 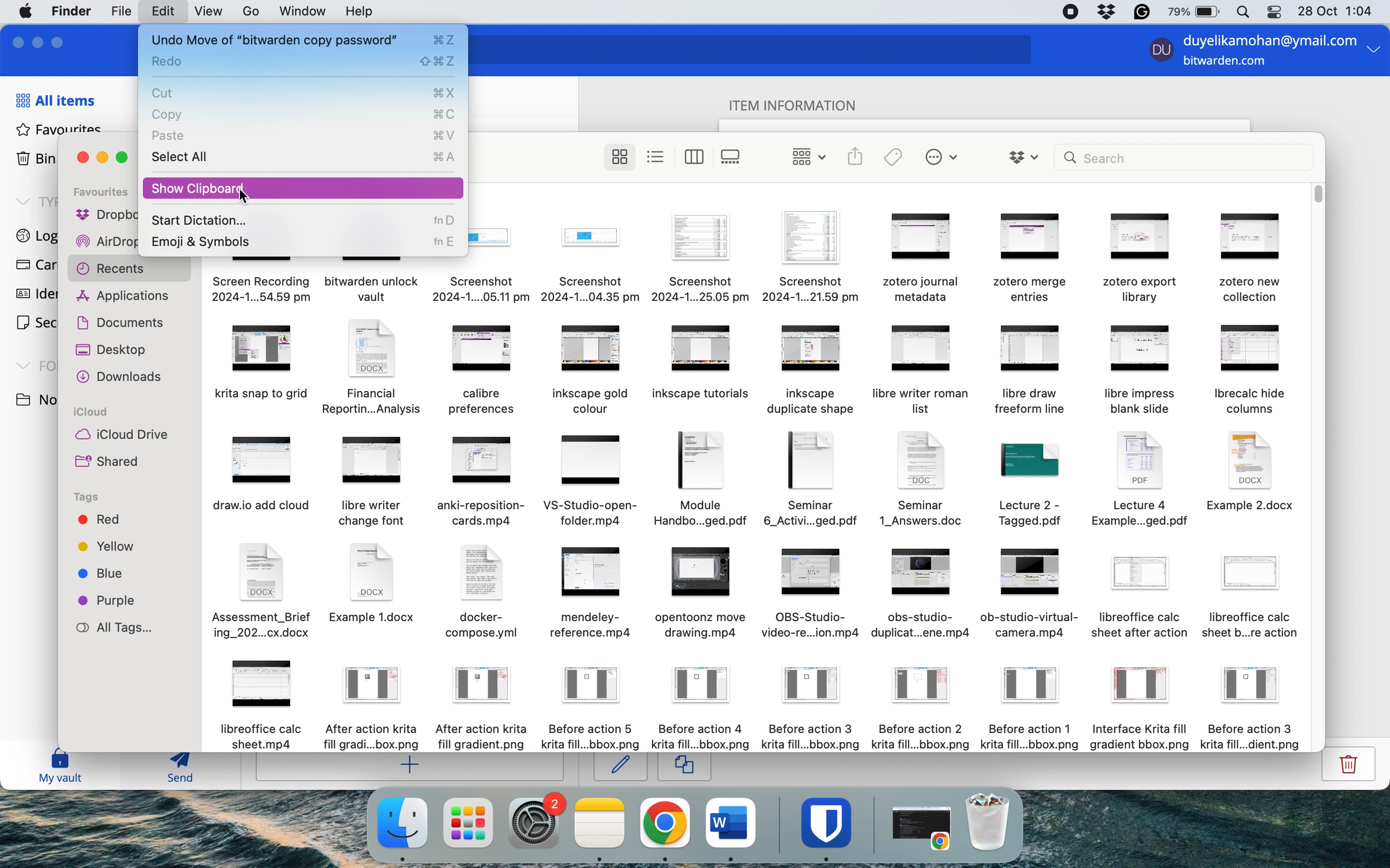 I want to click on spotlight search, so click(x=1241, y=13).